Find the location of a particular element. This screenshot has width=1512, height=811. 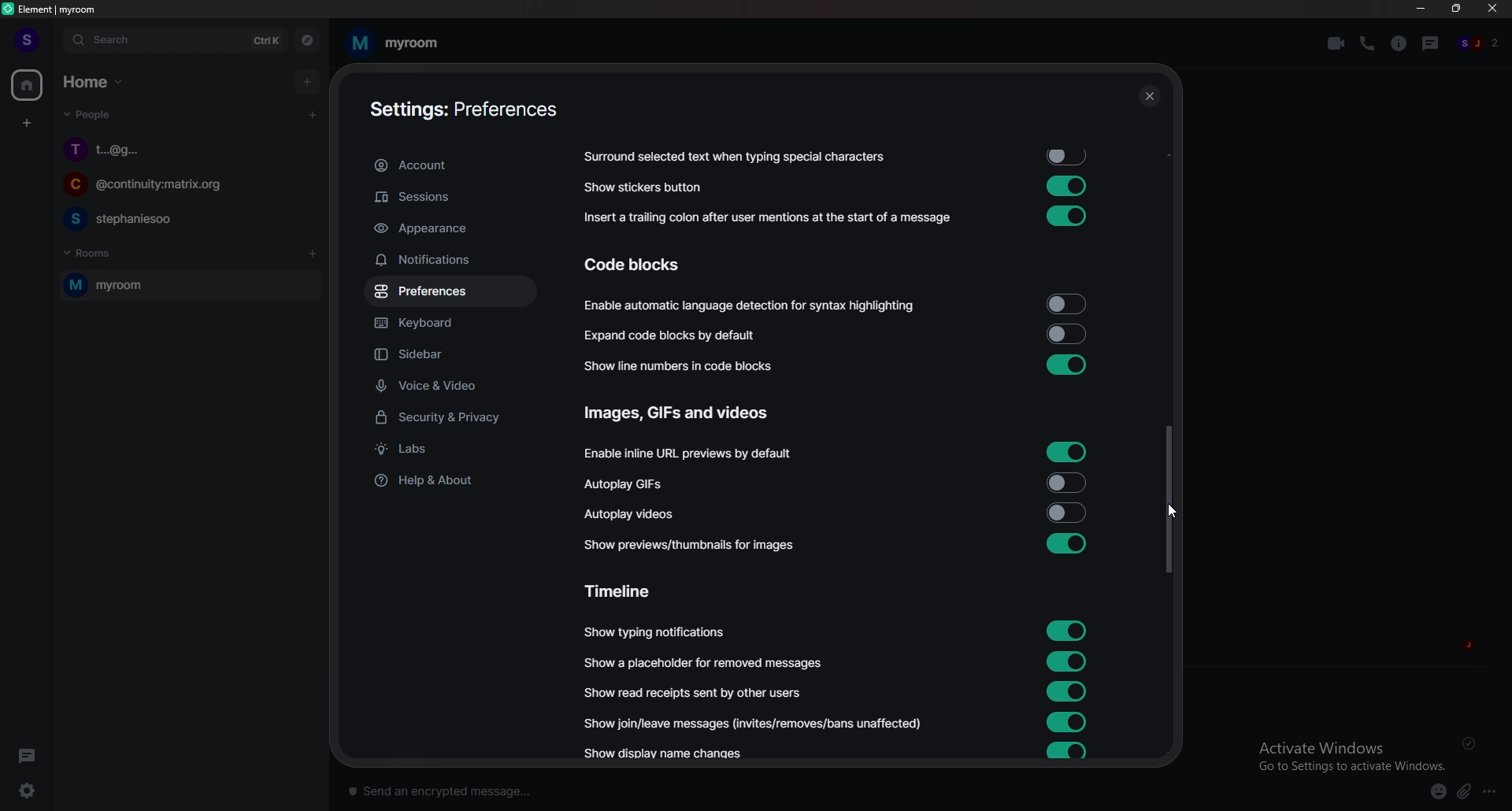

text box is located at coordinates (570, 787).